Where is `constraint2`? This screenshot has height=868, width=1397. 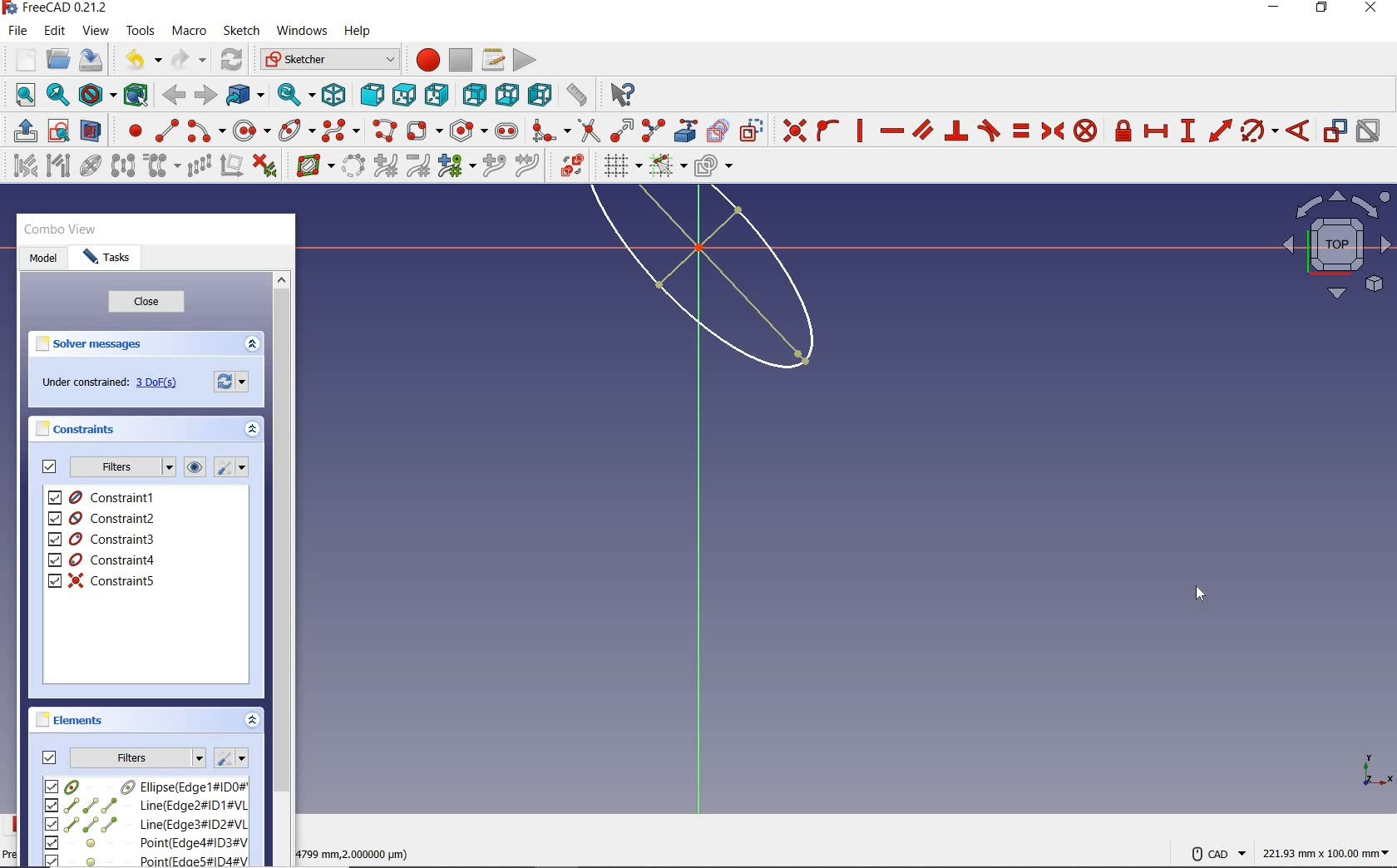 constraint2 is located at coordinates (103, 518).